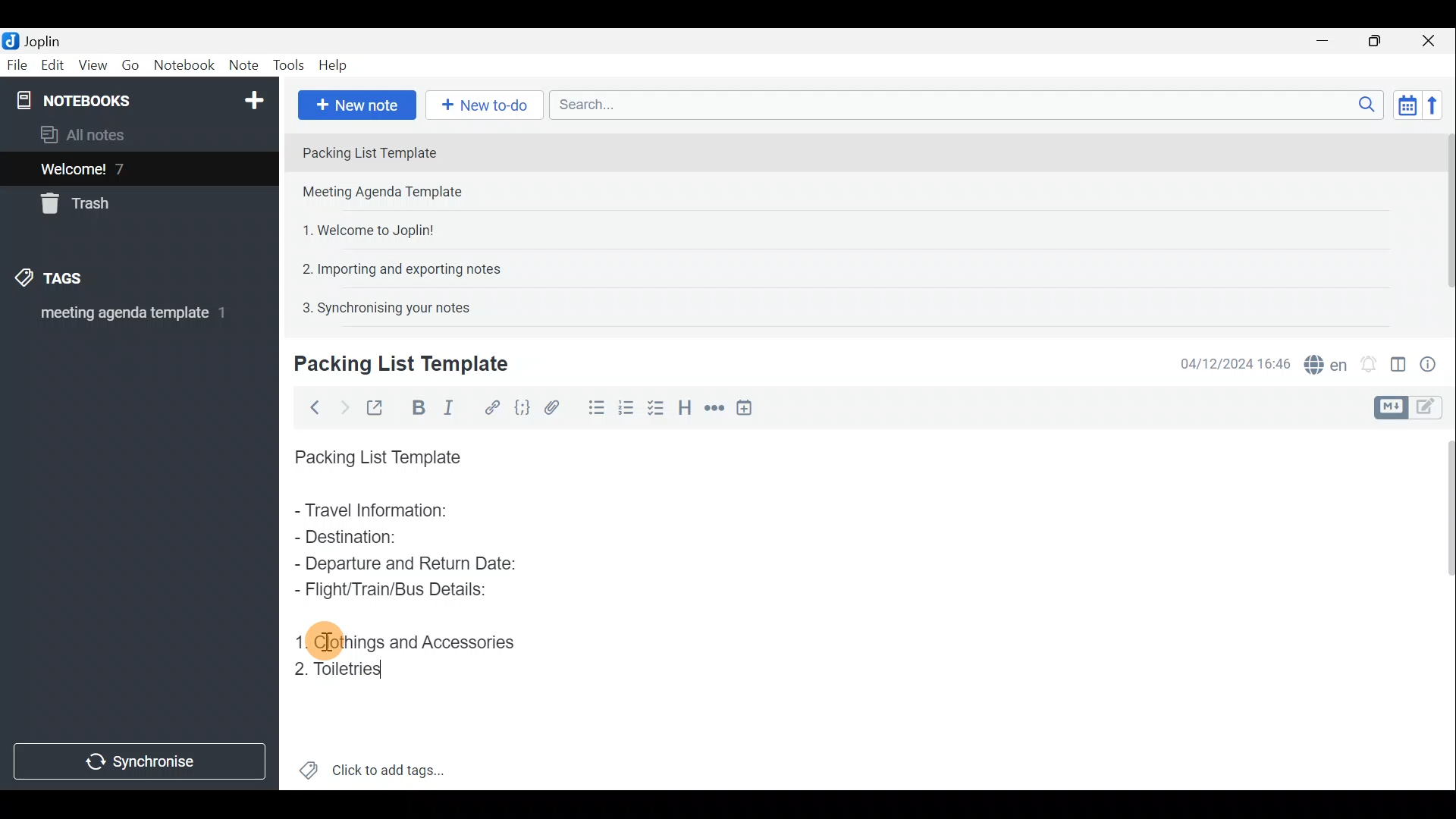  What do you see at coordinates (1322, 362) in the screenshot?
I see `Spell checker` at bounding box center [1322, 362].